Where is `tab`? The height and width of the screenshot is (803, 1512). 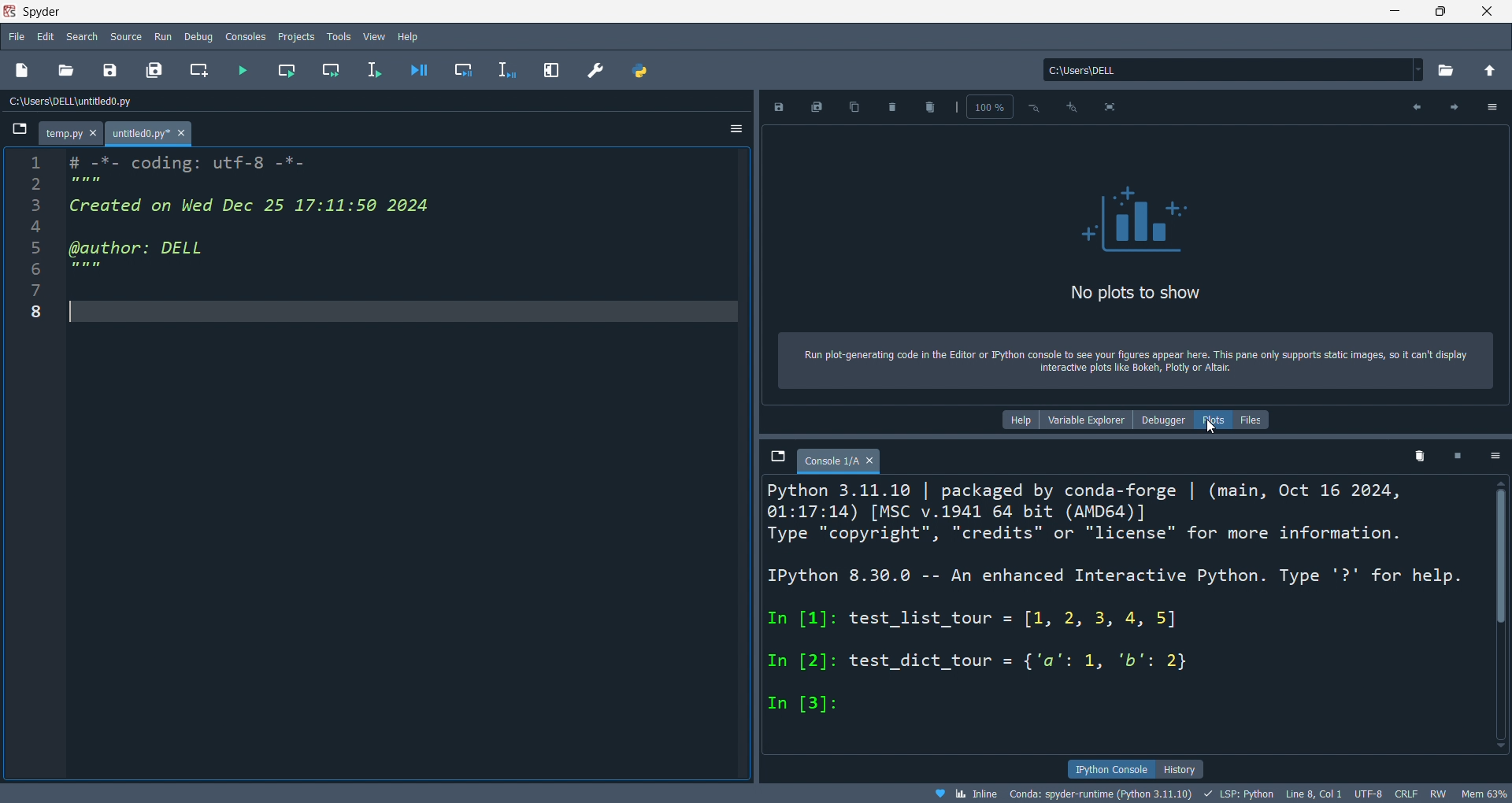
tab is located at coordinates (71, 134).